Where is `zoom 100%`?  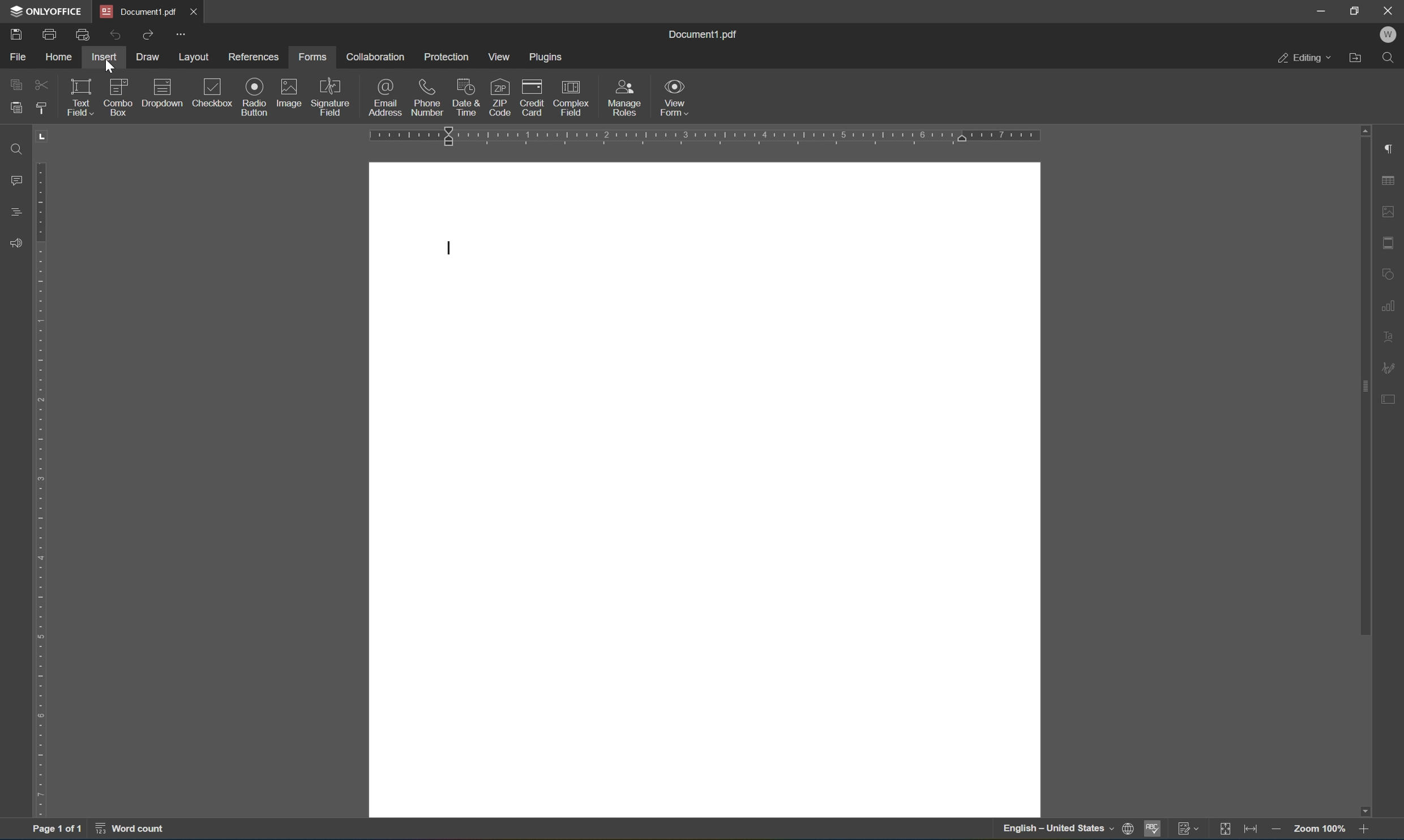
zoom 100% is located at coordinates (1318, 829).